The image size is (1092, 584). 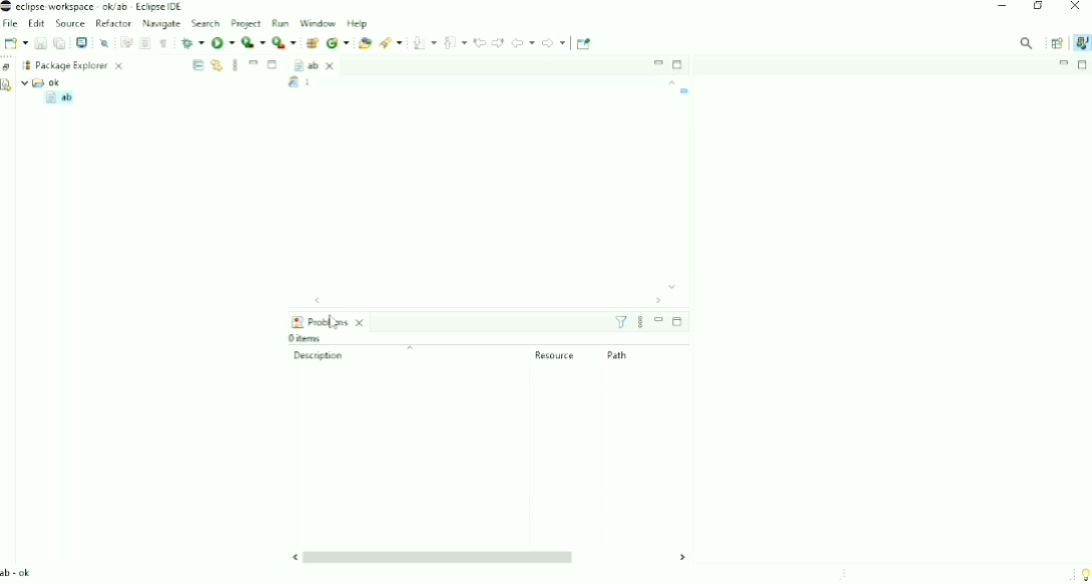 What do you see at coordinates (375, 354) in the screenshot?
I see `Description` at bounding box center [375, 354].